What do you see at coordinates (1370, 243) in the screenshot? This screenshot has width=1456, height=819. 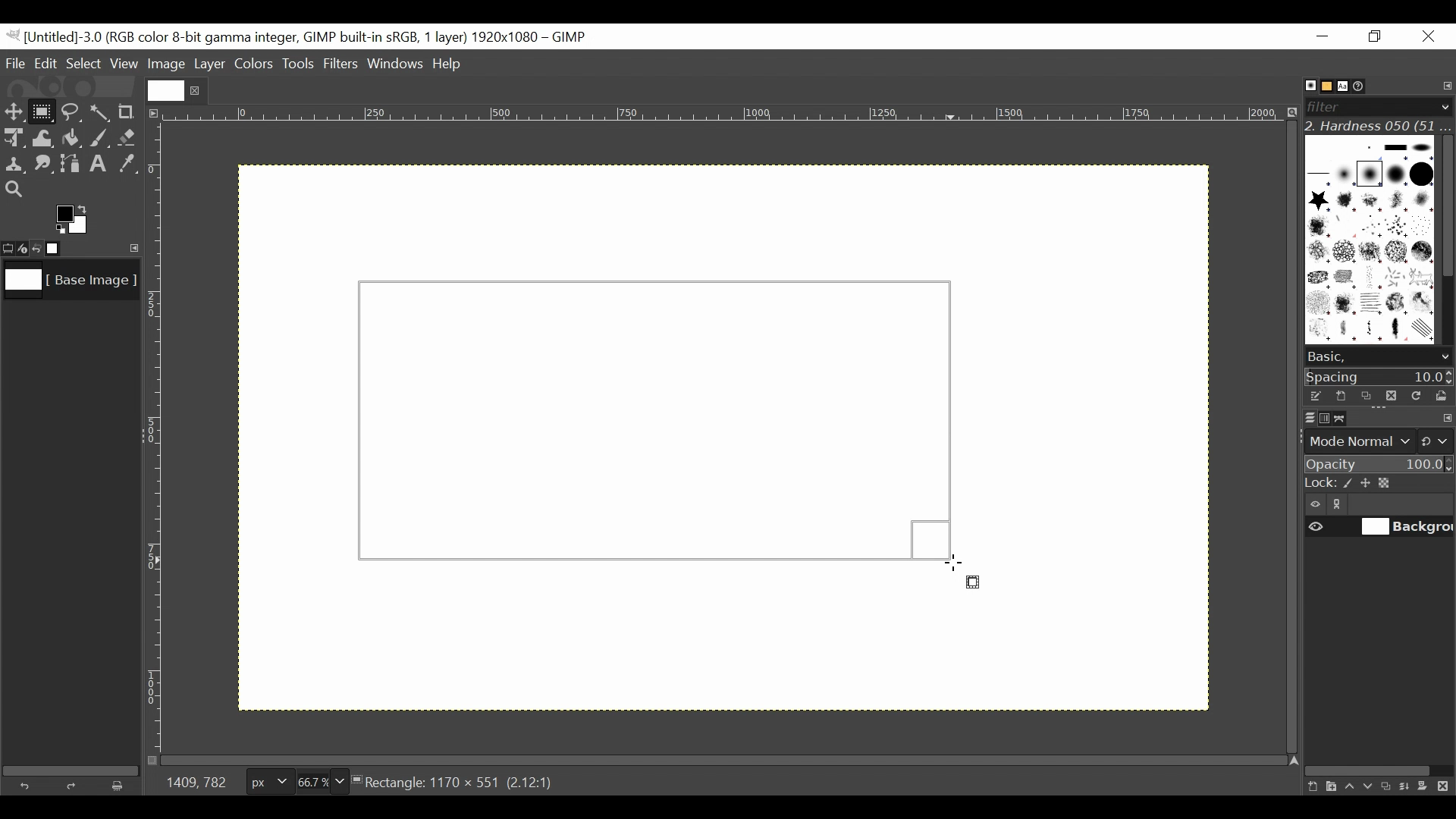 I see `Patterns` at bounding box center [1370, 243].